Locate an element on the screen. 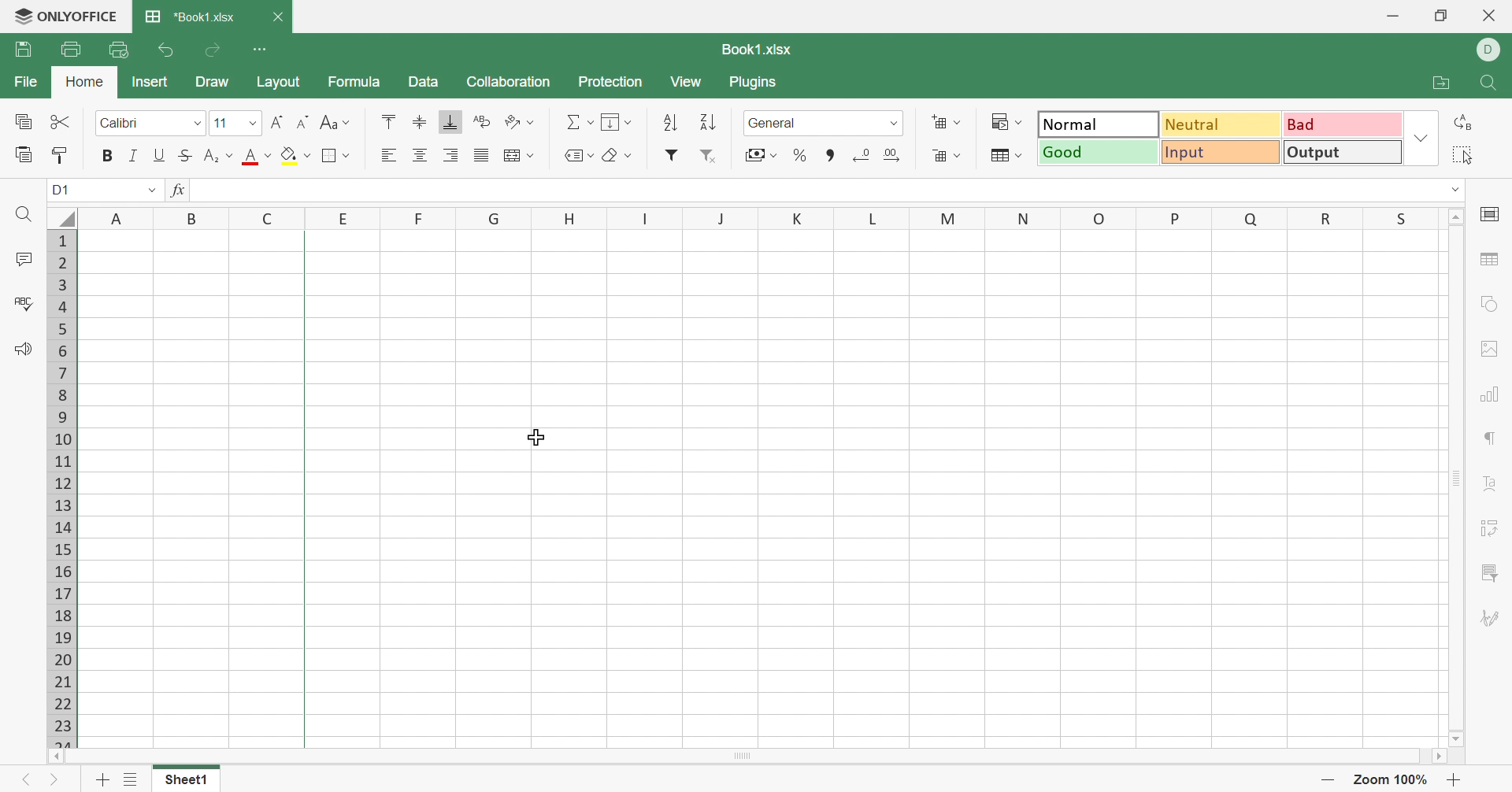  Drop Down is located at coordinates (151, 188).